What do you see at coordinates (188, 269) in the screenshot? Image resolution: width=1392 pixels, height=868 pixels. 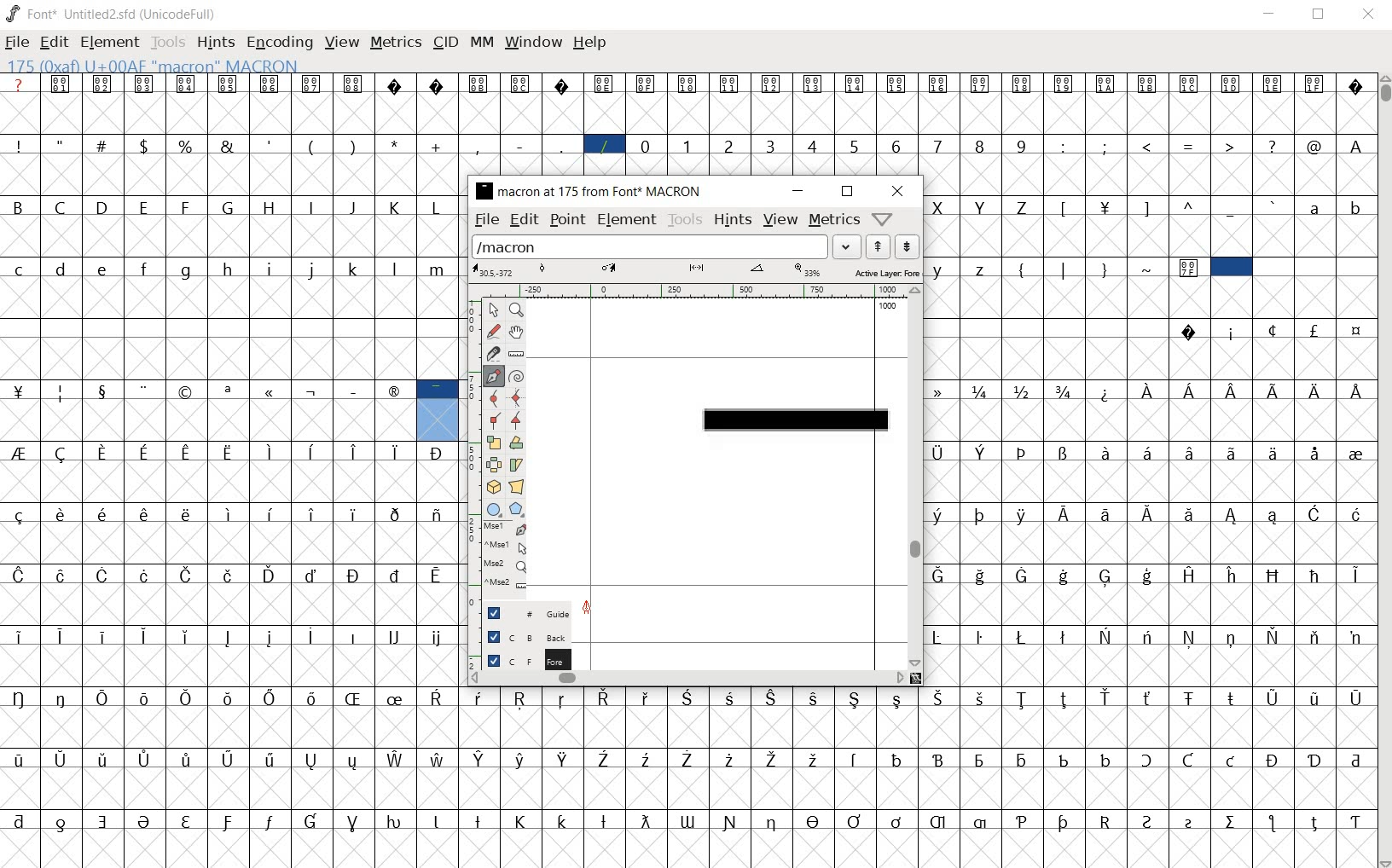 I see `g` at bounding box center [188, 269].